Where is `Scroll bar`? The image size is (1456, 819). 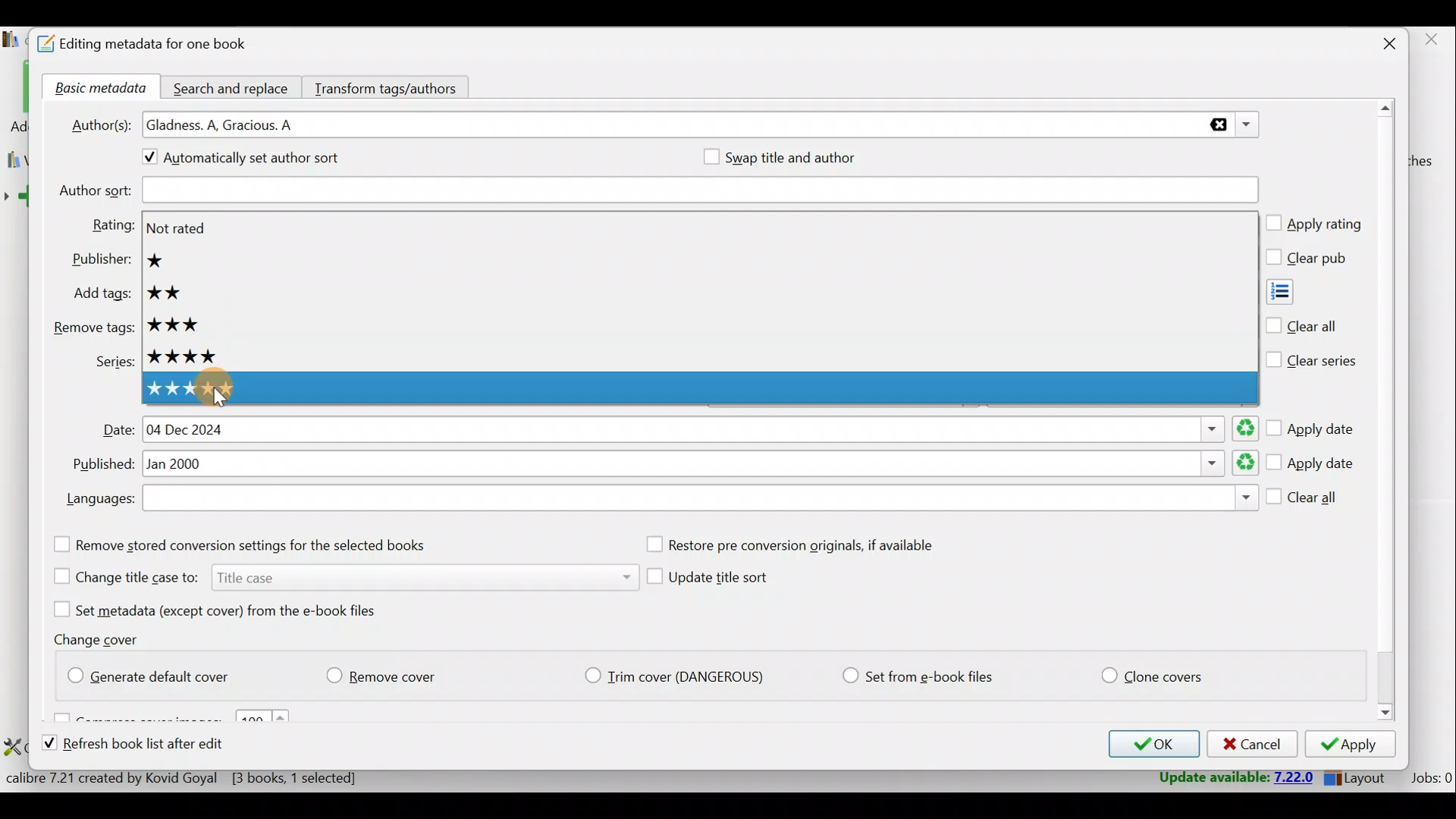 Scroll bar is located at coordinates (1387, 413).